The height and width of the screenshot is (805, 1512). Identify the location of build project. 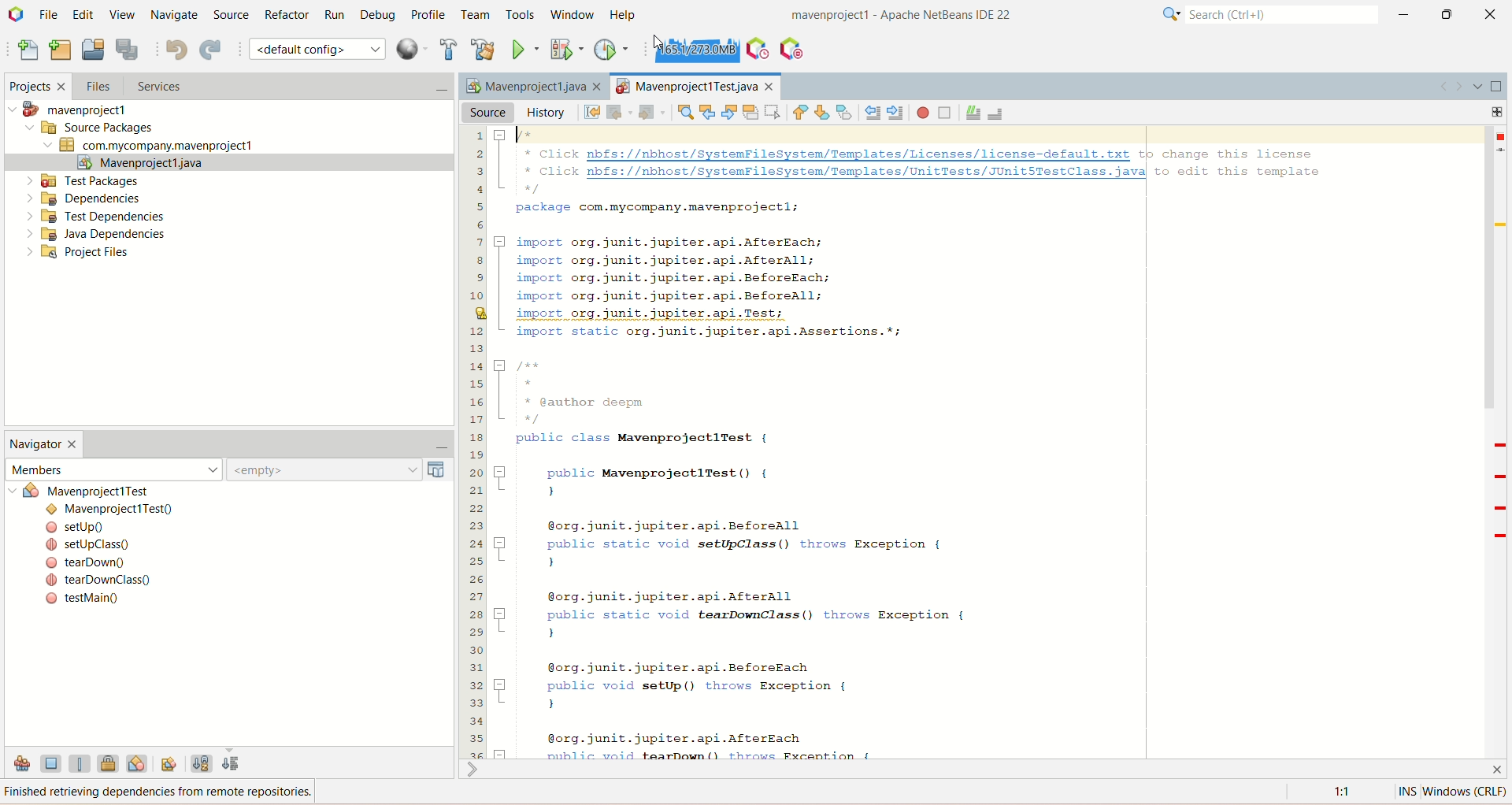
(447, 49).